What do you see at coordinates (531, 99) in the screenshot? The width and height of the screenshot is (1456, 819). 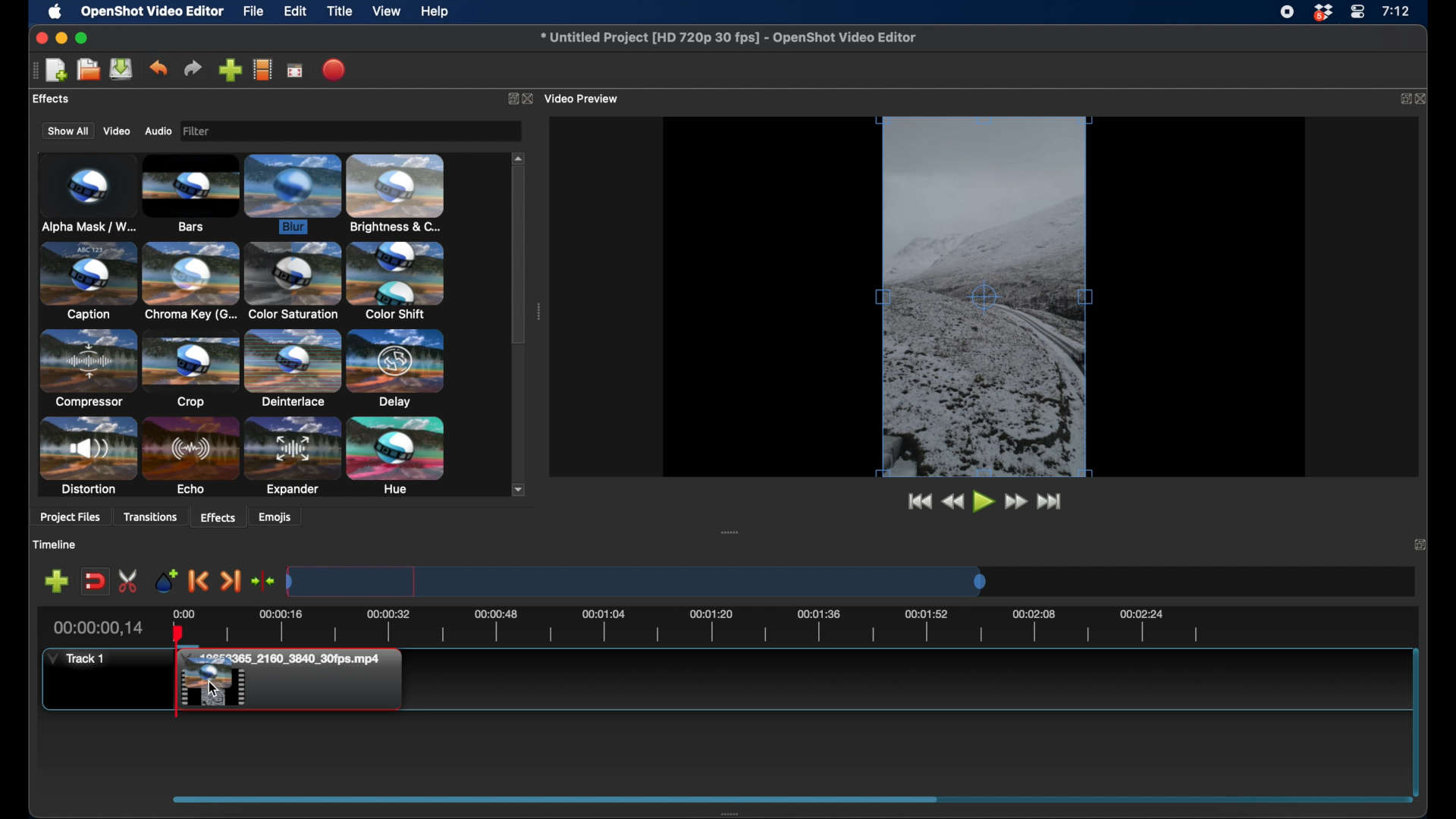 I see `close` at bounding box center [531, 99].